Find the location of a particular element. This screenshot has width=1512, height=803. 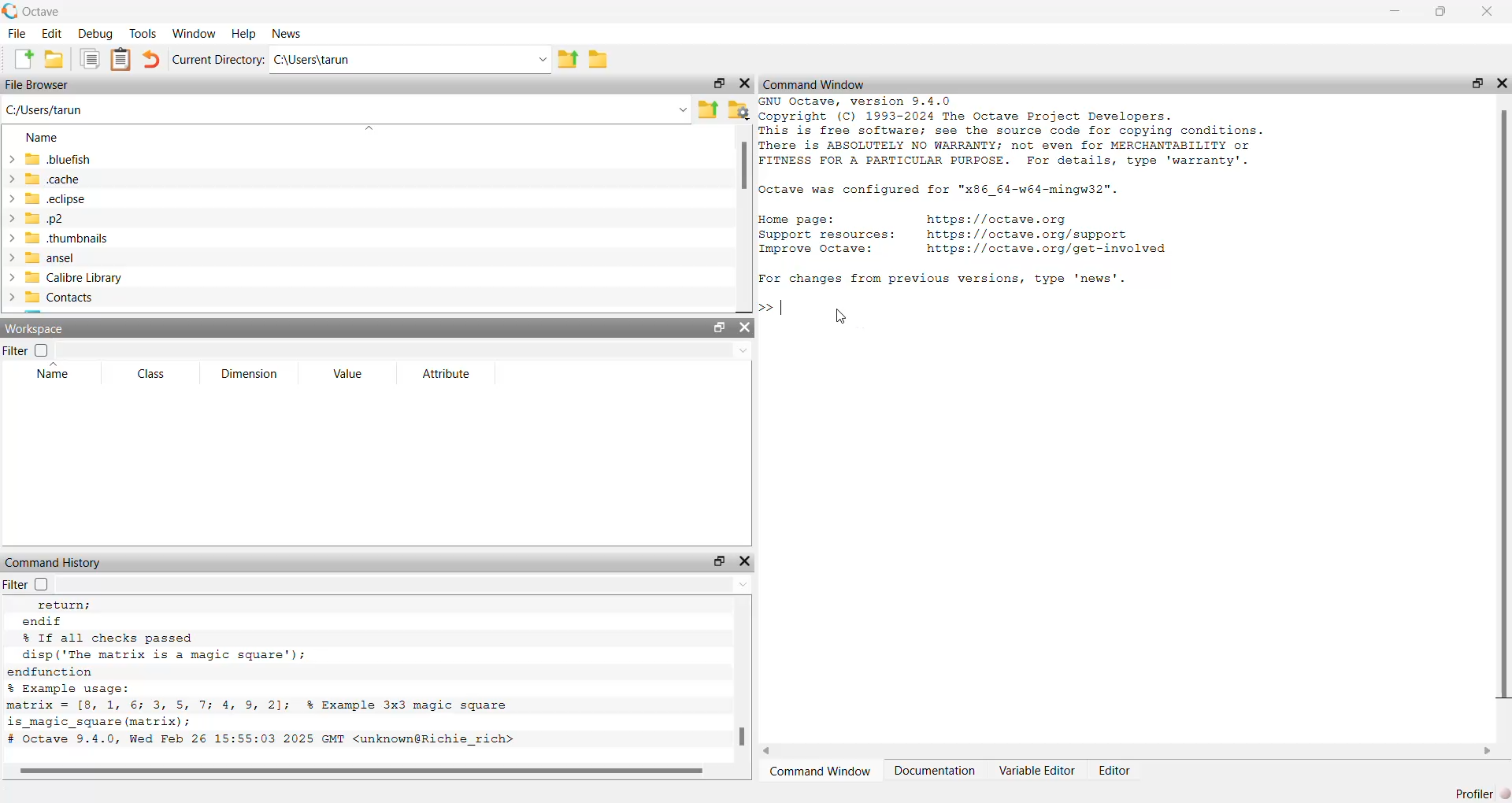

maximize is located at coordinates (1477, 83).